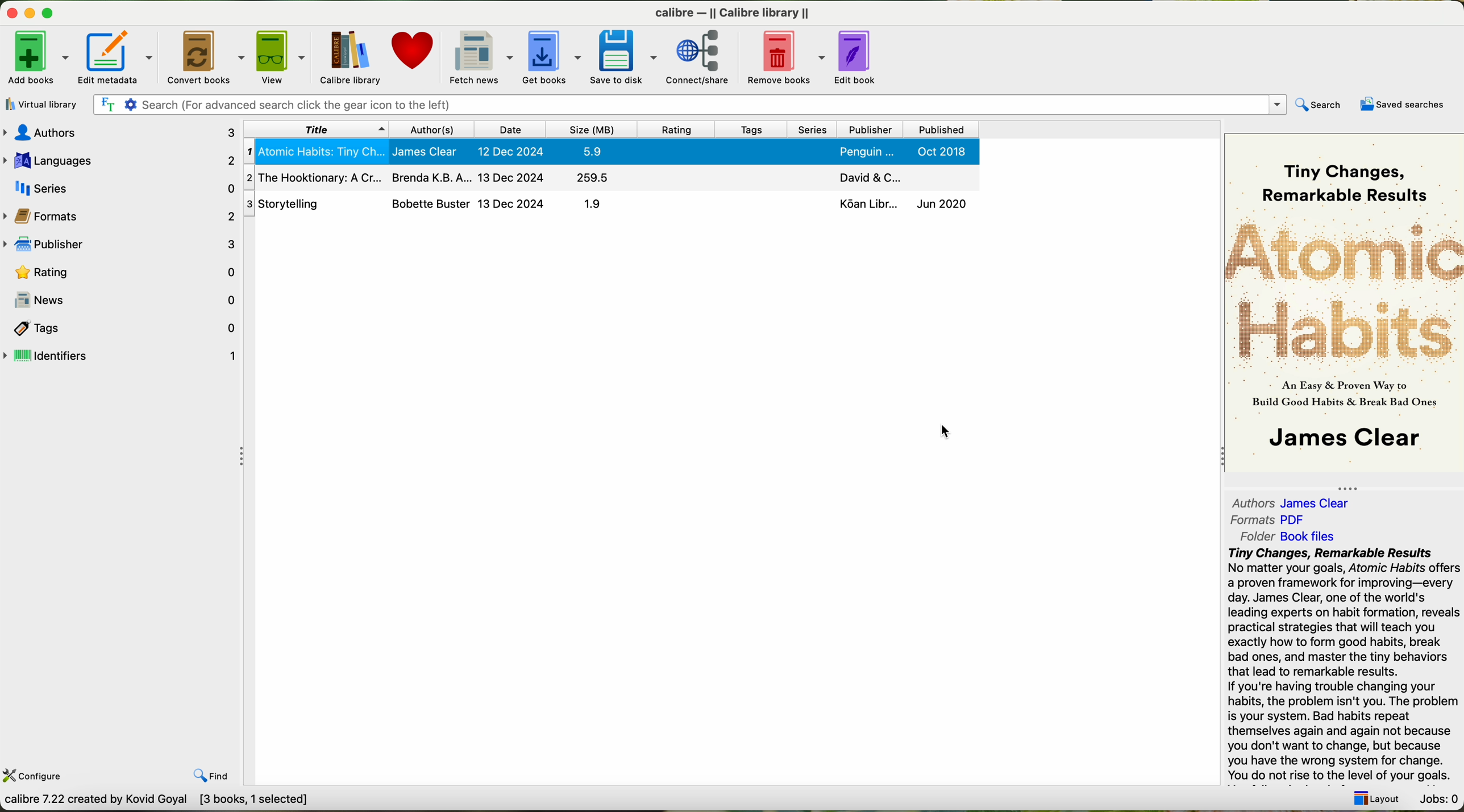 The height and width of the screenshot is (812, 1464). I want to click on convert books, so click(203, 56).